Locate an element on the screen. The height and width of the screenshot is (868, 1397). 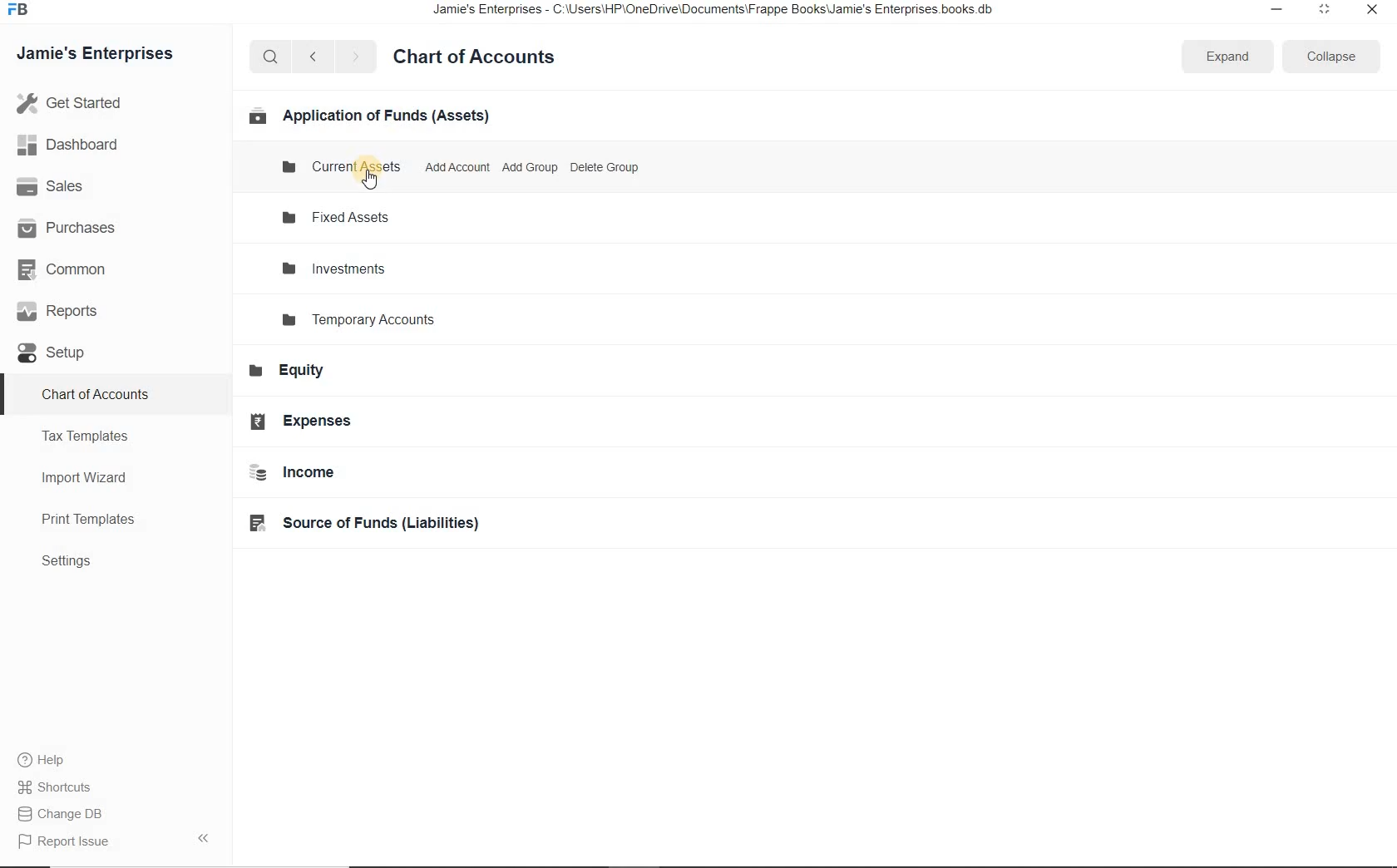
common is located at coordinates (77, 272).